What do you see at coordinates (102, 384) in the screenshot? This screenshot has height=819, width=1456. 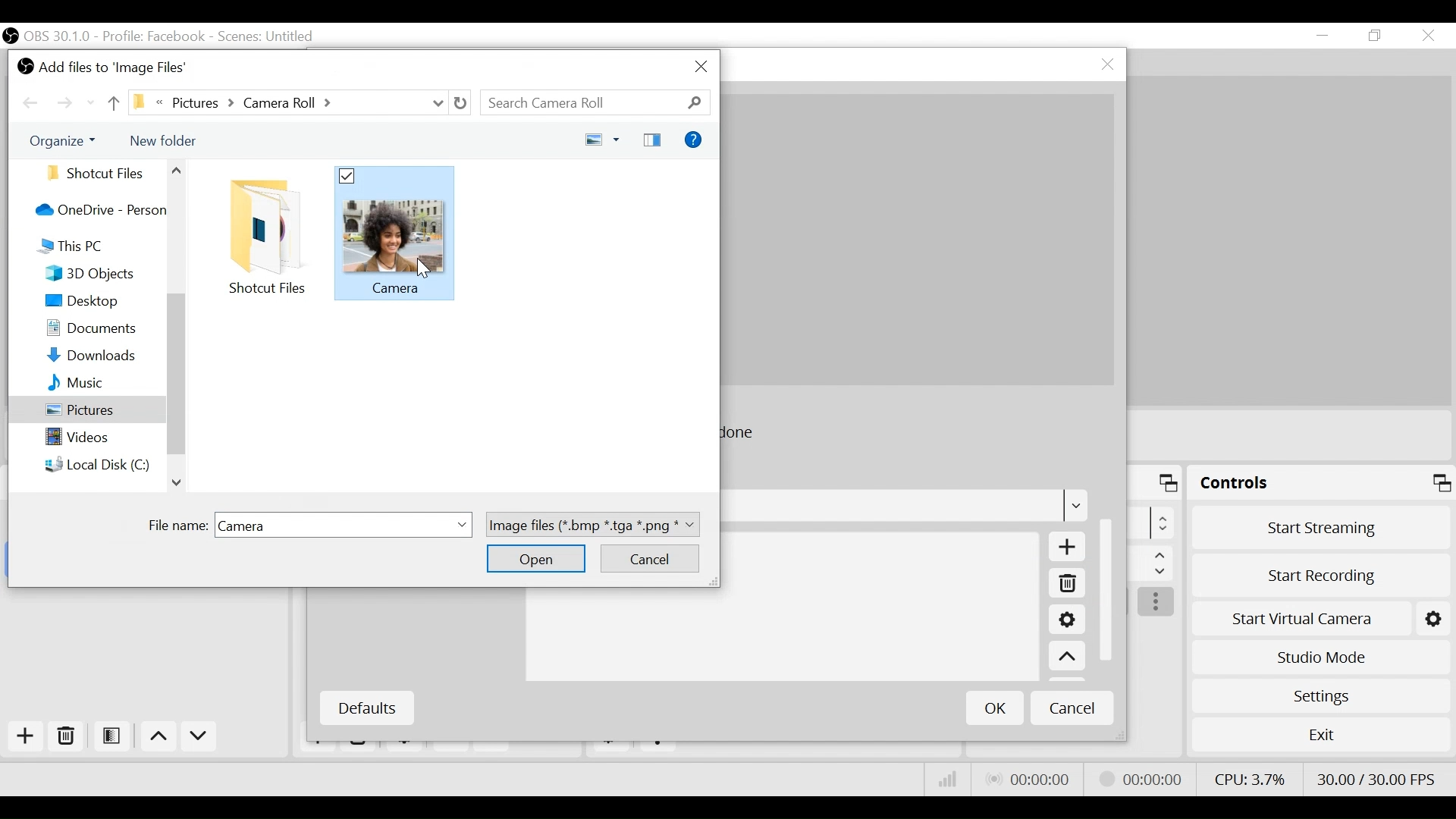 I see `Music` at bounding box center [102, 384].